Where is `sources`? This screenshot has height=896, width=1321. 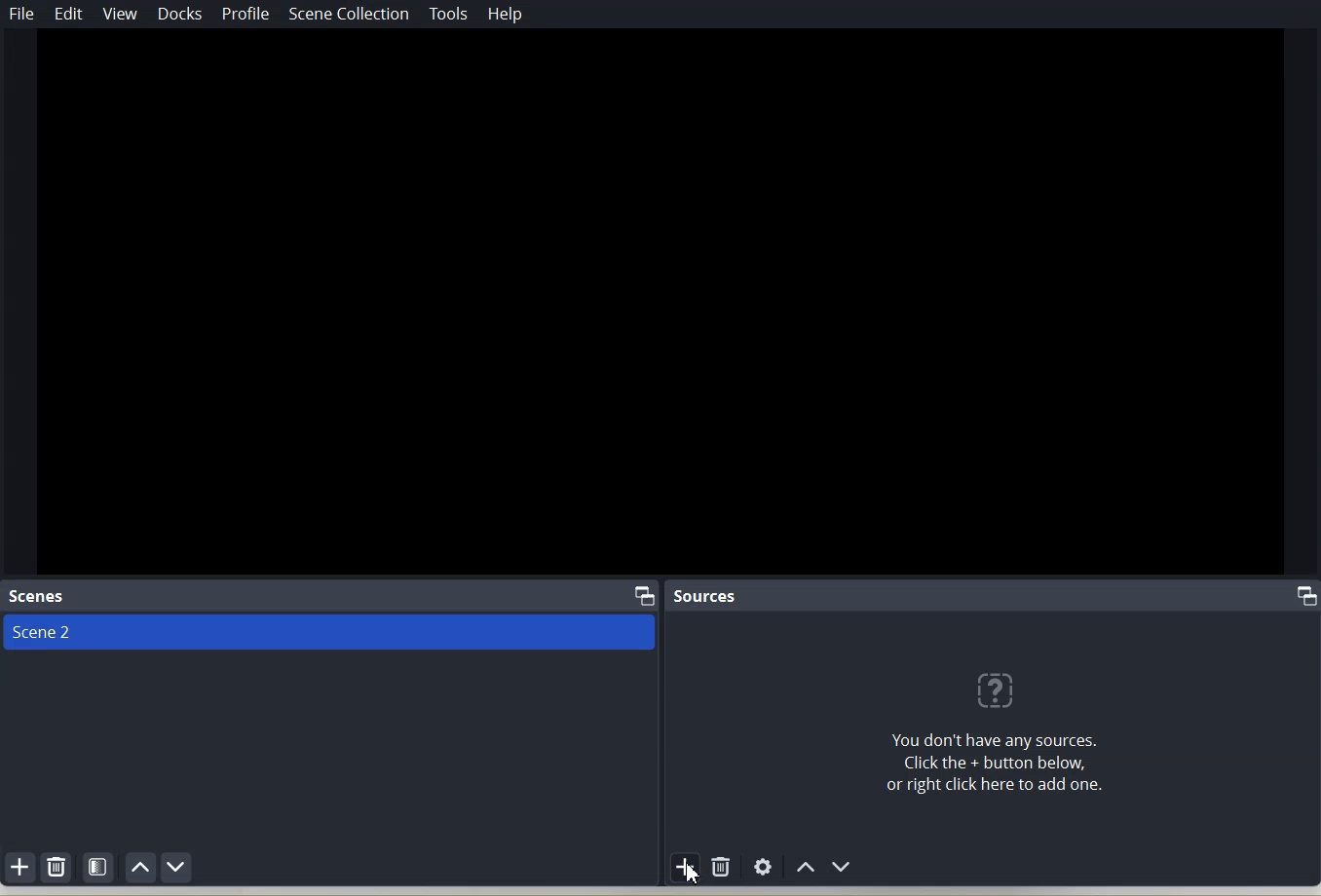
sources is located at coordinates (706, 596).